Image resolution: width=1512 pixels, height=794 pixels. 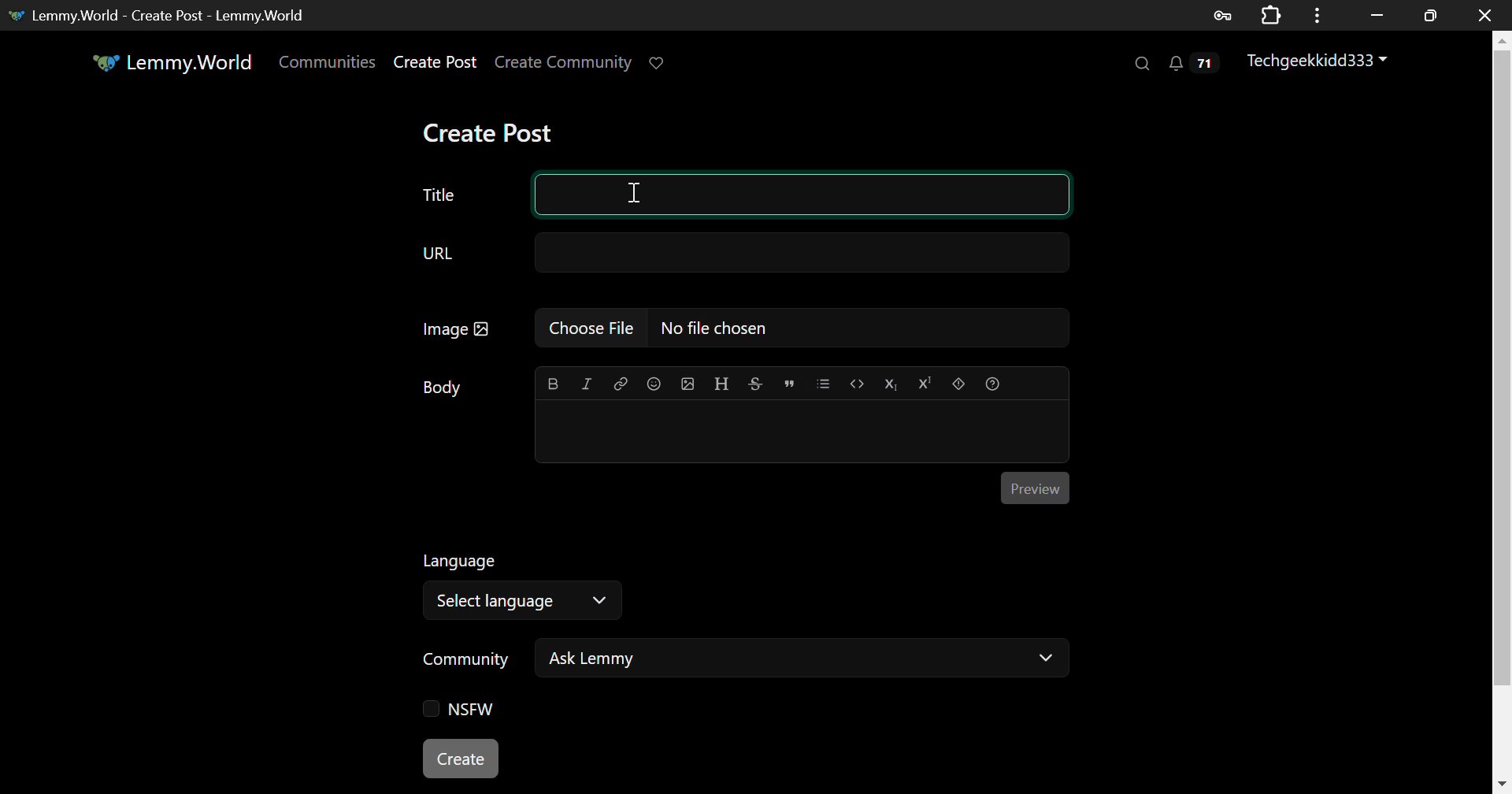 What do you see at coordinates (787, 384) in the screenshot?
I see `Quote` at bounding box center [787, 384].